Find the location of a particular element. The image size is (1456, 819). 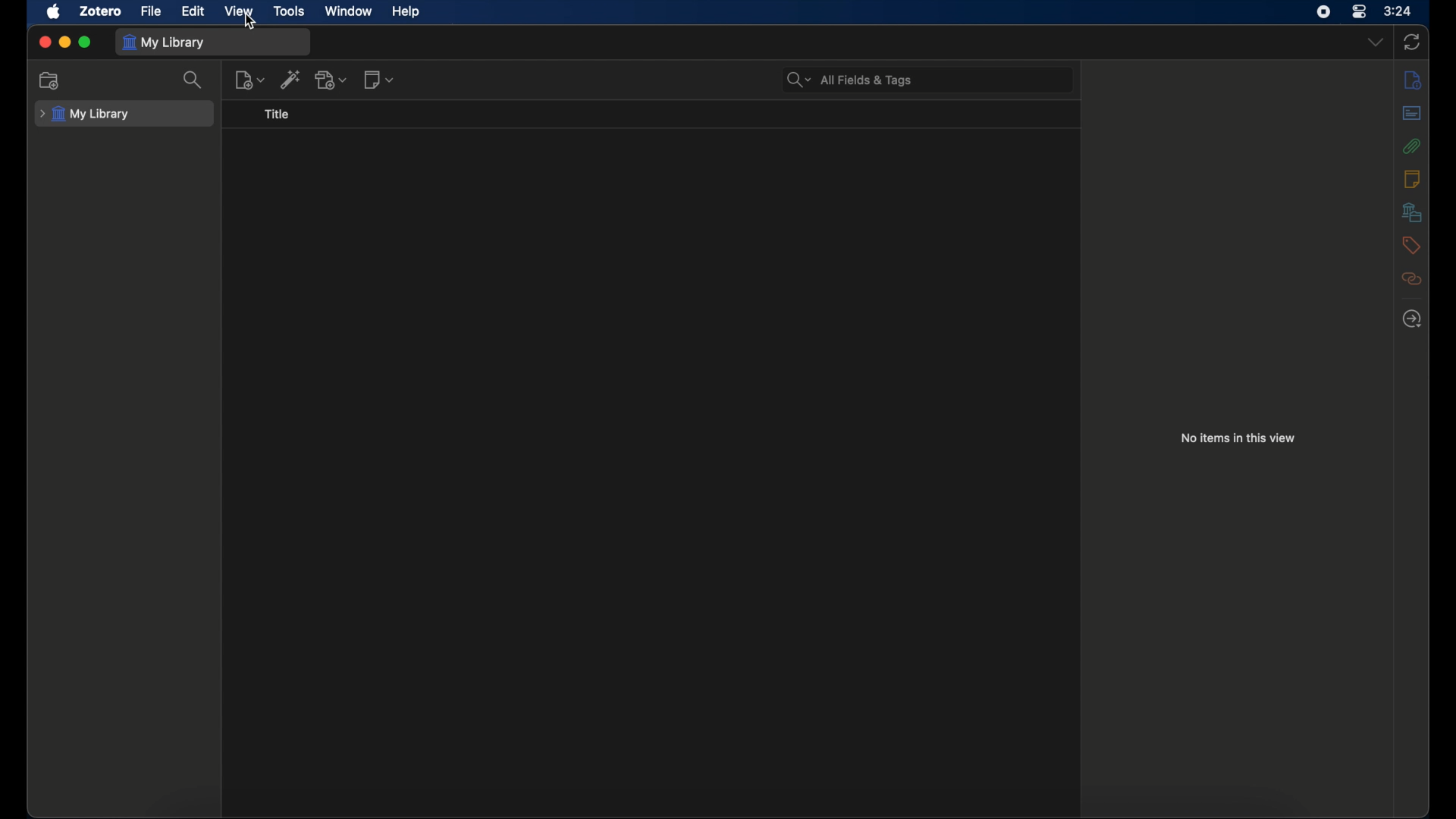

time is located at coordinates (1398, 11).